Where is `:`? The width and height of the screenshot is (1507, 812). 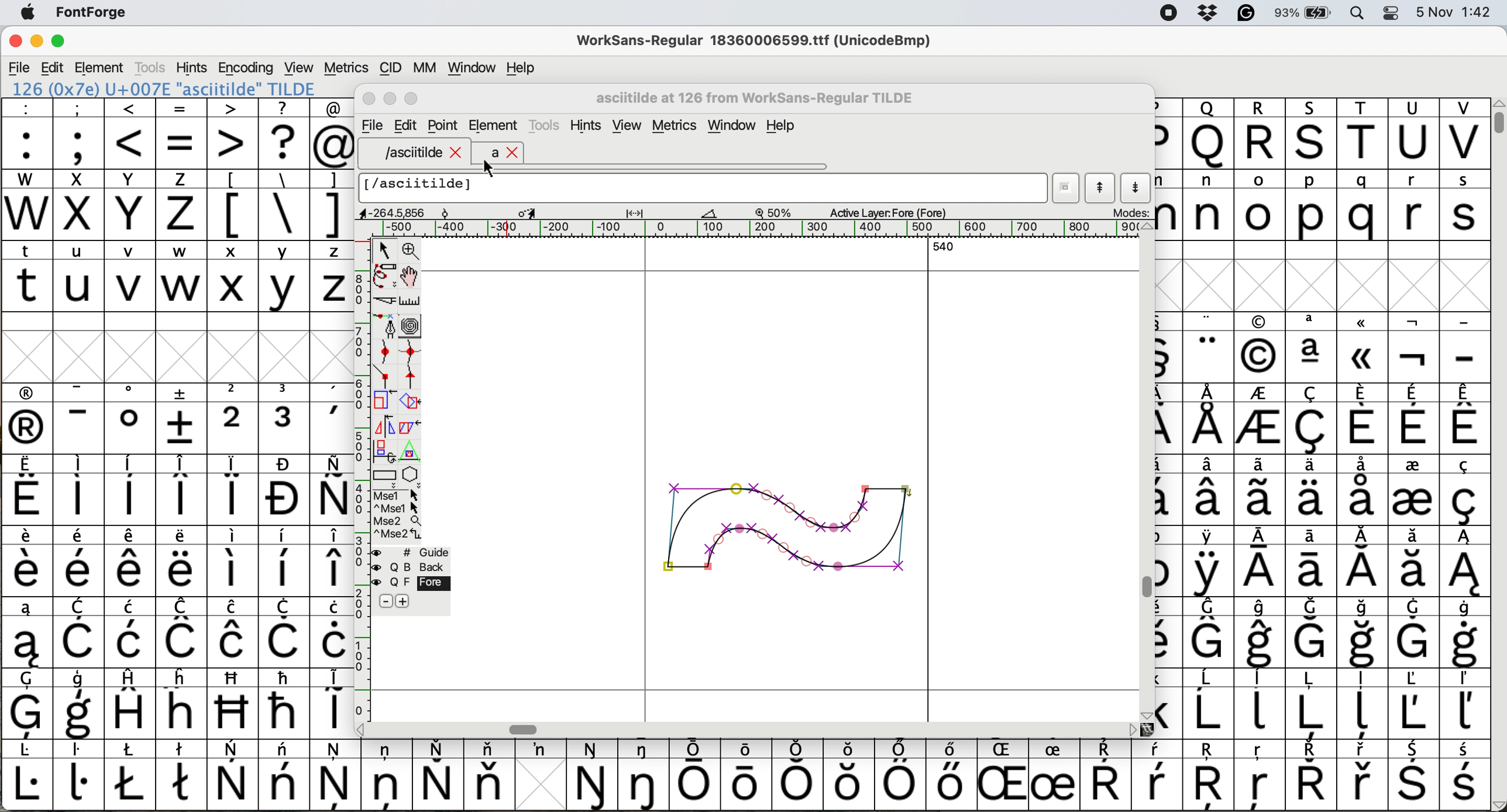 : is located at coordinates (28, 134).